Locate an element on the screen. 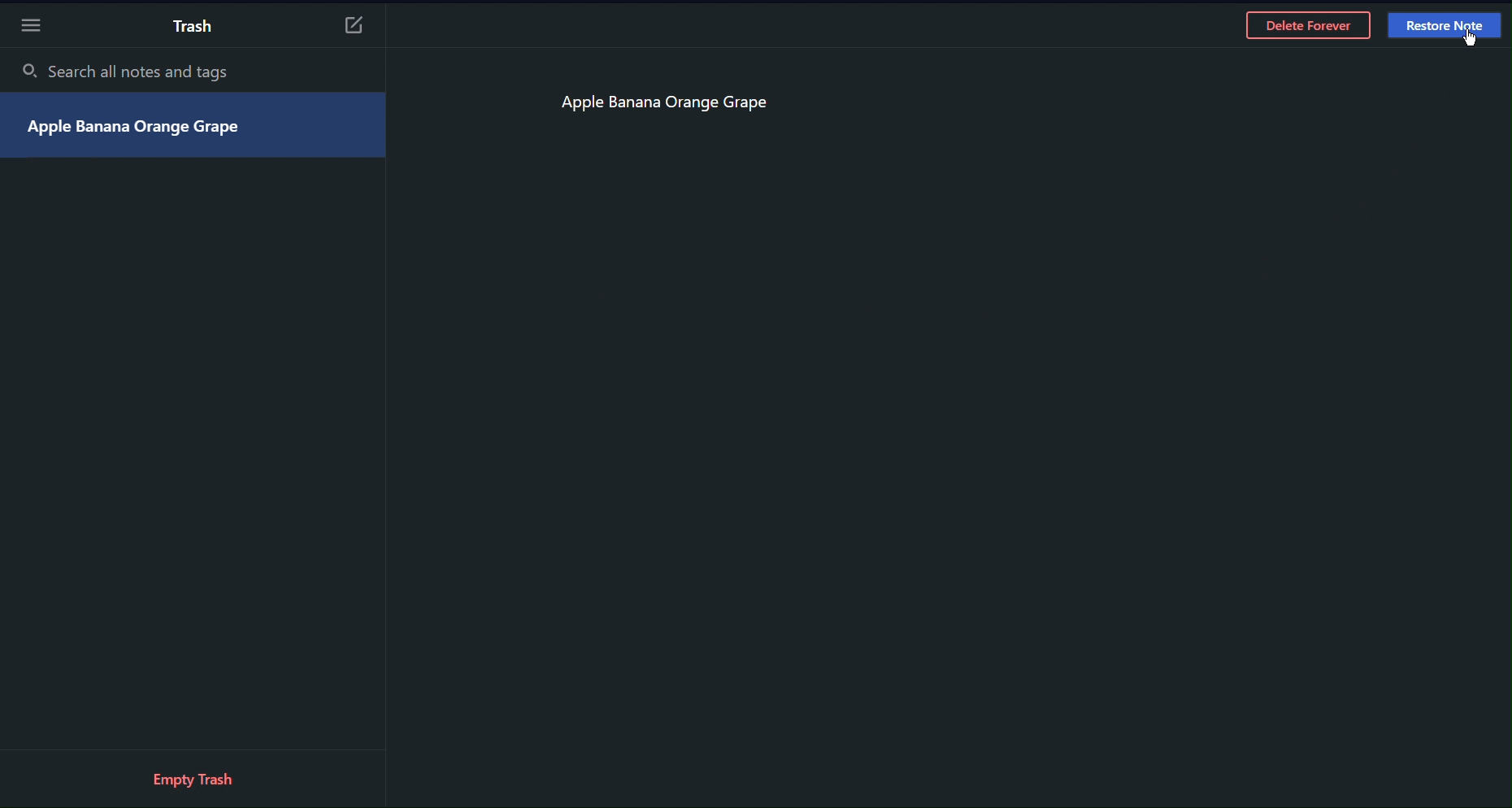 This screenshot has height=808, width=1512. Search all notes and tags is located at coordinates (192, 72).